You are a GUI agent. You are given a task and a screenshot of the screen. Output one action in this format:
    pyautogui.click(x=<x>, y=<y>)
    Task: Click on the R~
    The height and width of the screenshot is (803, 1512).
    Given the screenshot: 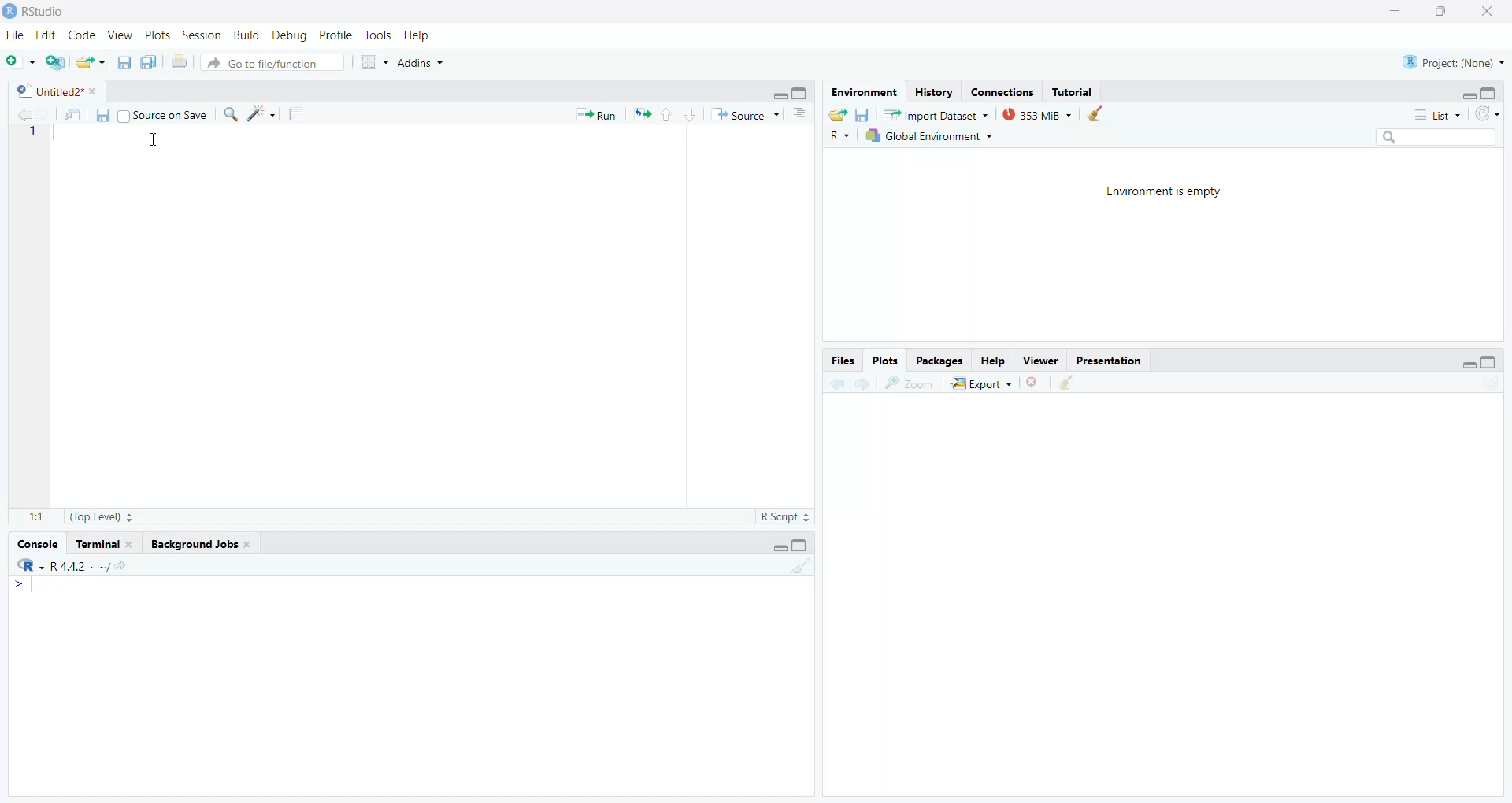 What is the action you would take?
    pyautogui.click(x=838, y=136)
    